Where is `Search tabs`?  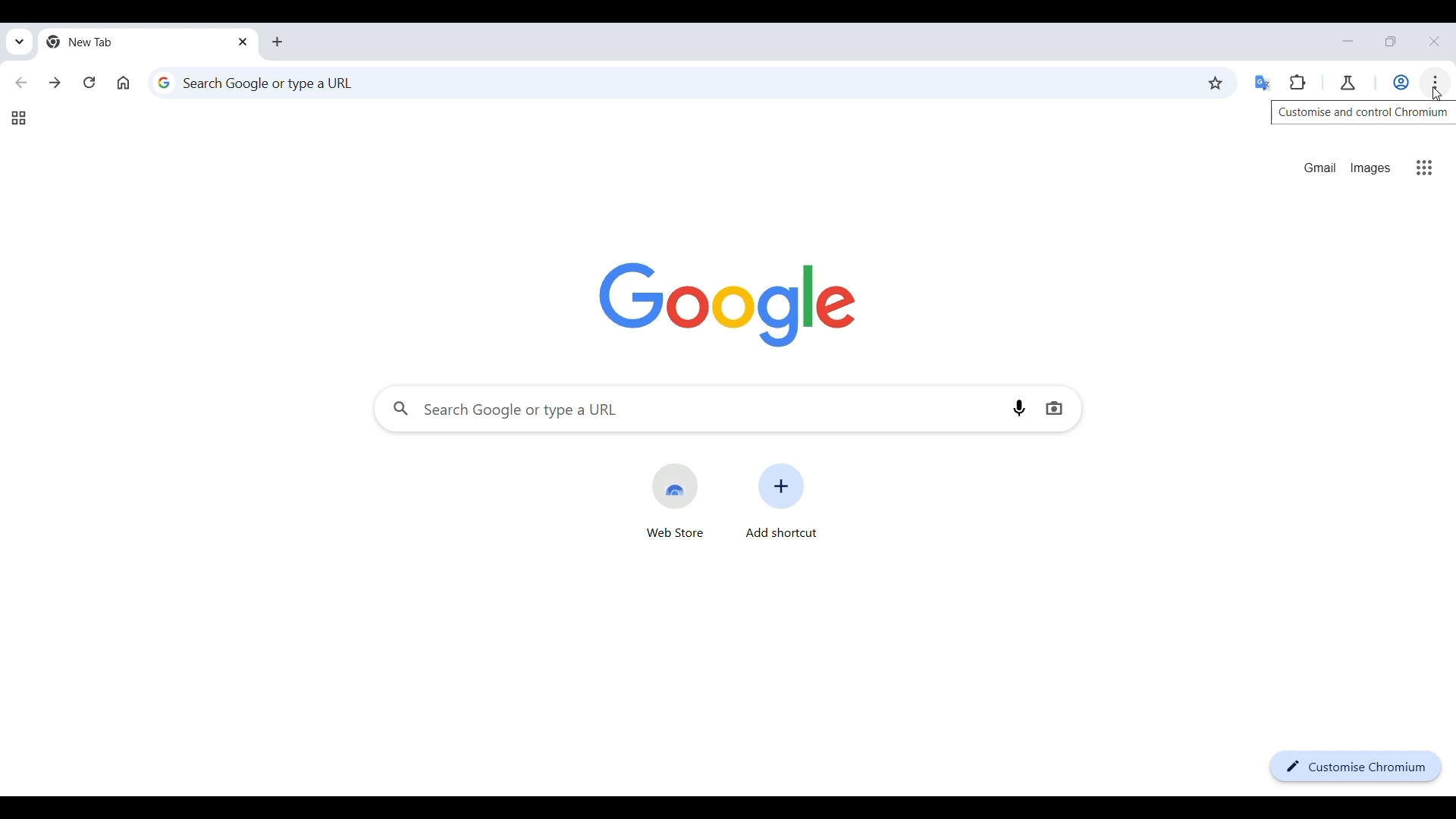
Search tabs is located at coordinates (20, 42).